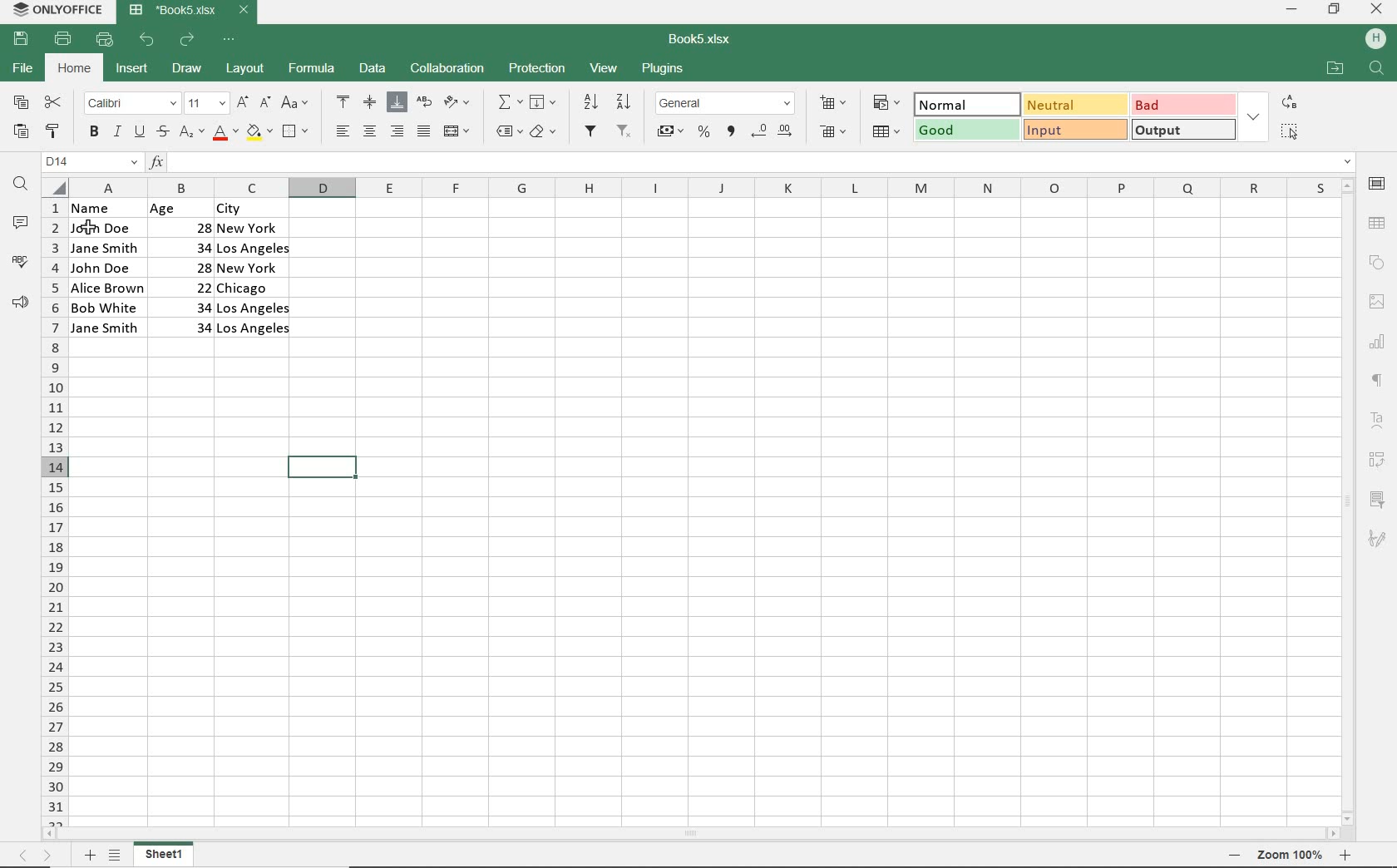  Describe the element at coordinates (425, 104) in the screenshot. I see `WRAP TEXT` at that location.